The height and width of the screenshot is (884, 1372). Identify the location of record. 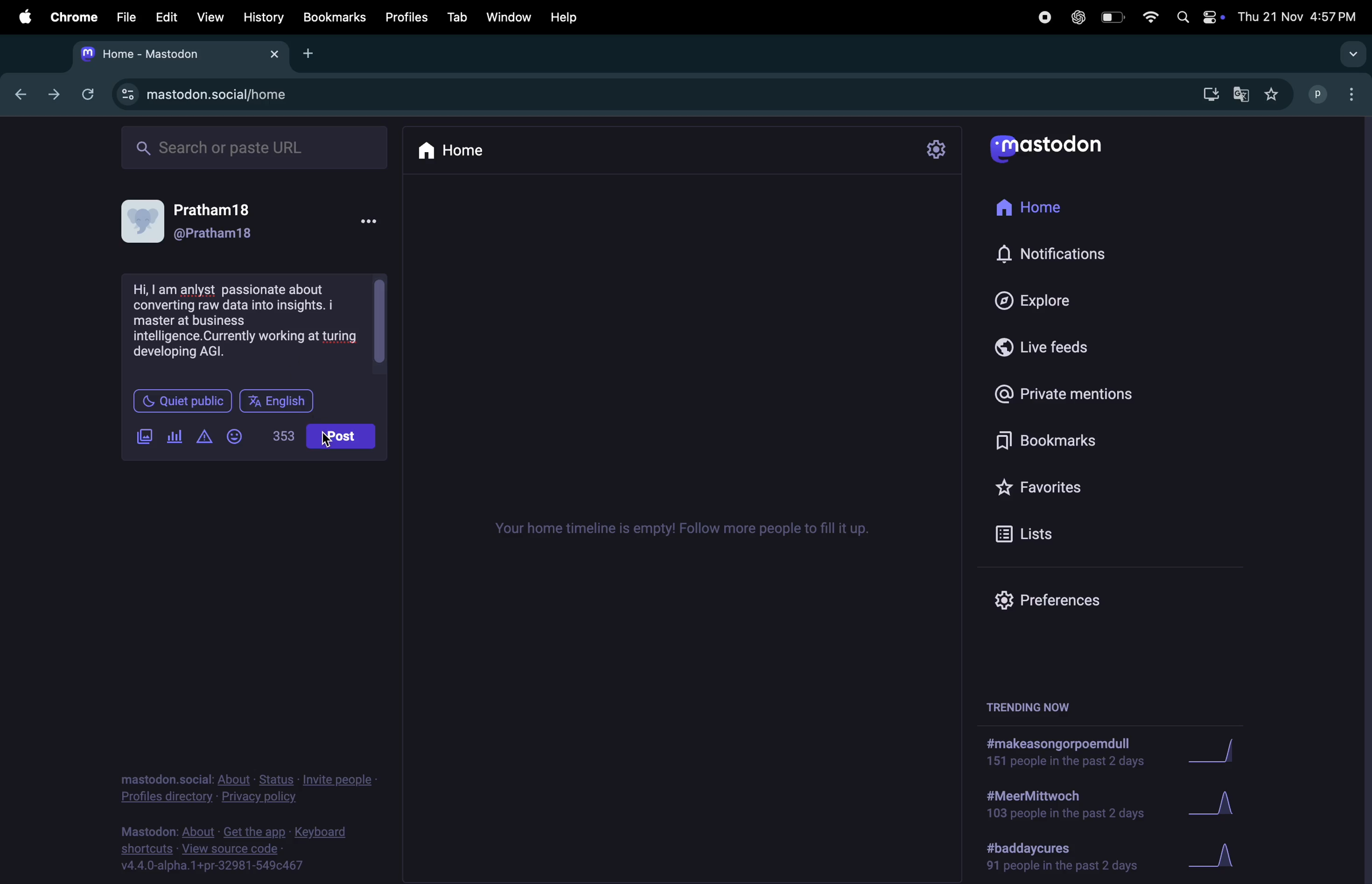
(1043, 17).